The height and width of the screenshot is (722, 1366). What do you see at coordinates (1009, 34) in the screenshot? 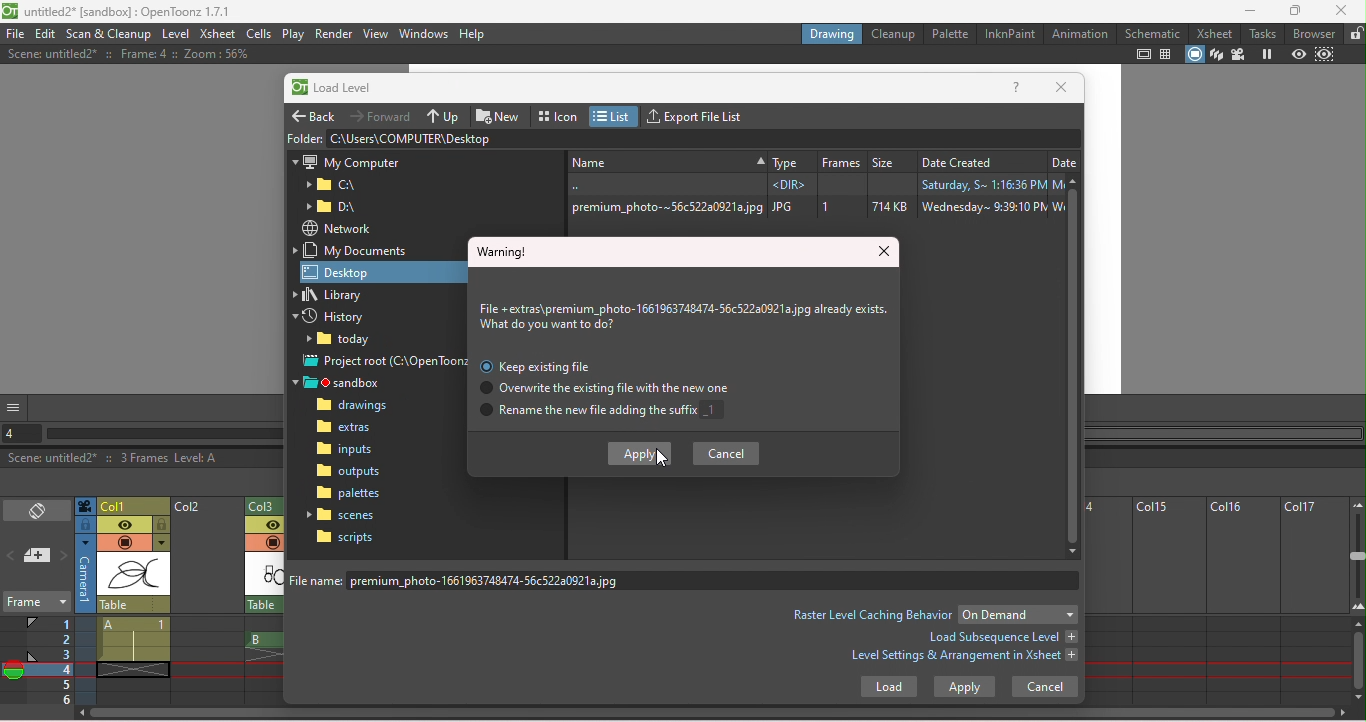
I see `InknPaint` at bounding box center [1009, 34].